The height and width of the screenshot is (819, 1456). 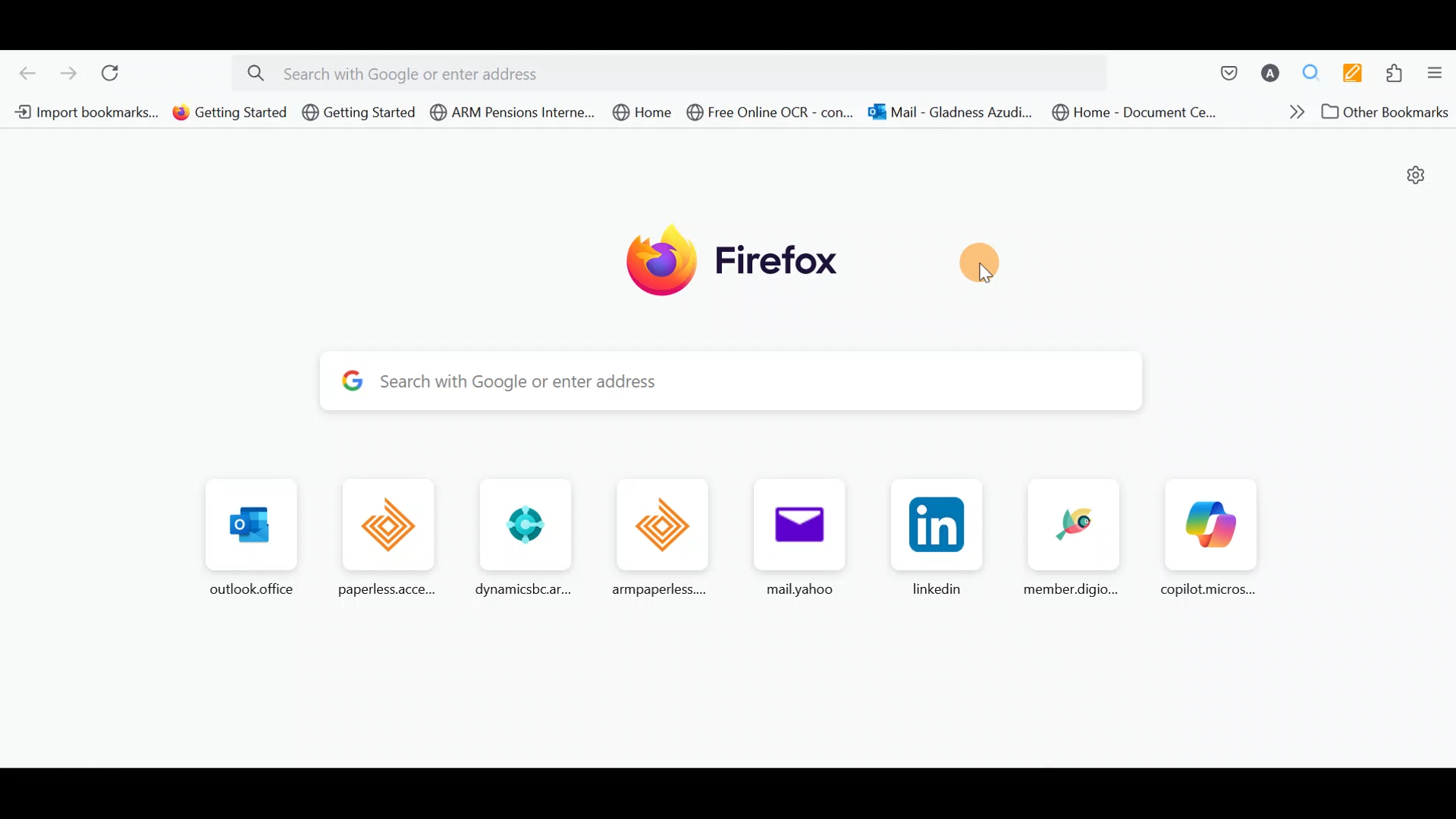 What do you see at coordinates (680, 71) in the screenshot?
I see `Search bar` at bounding box center [680, 71].